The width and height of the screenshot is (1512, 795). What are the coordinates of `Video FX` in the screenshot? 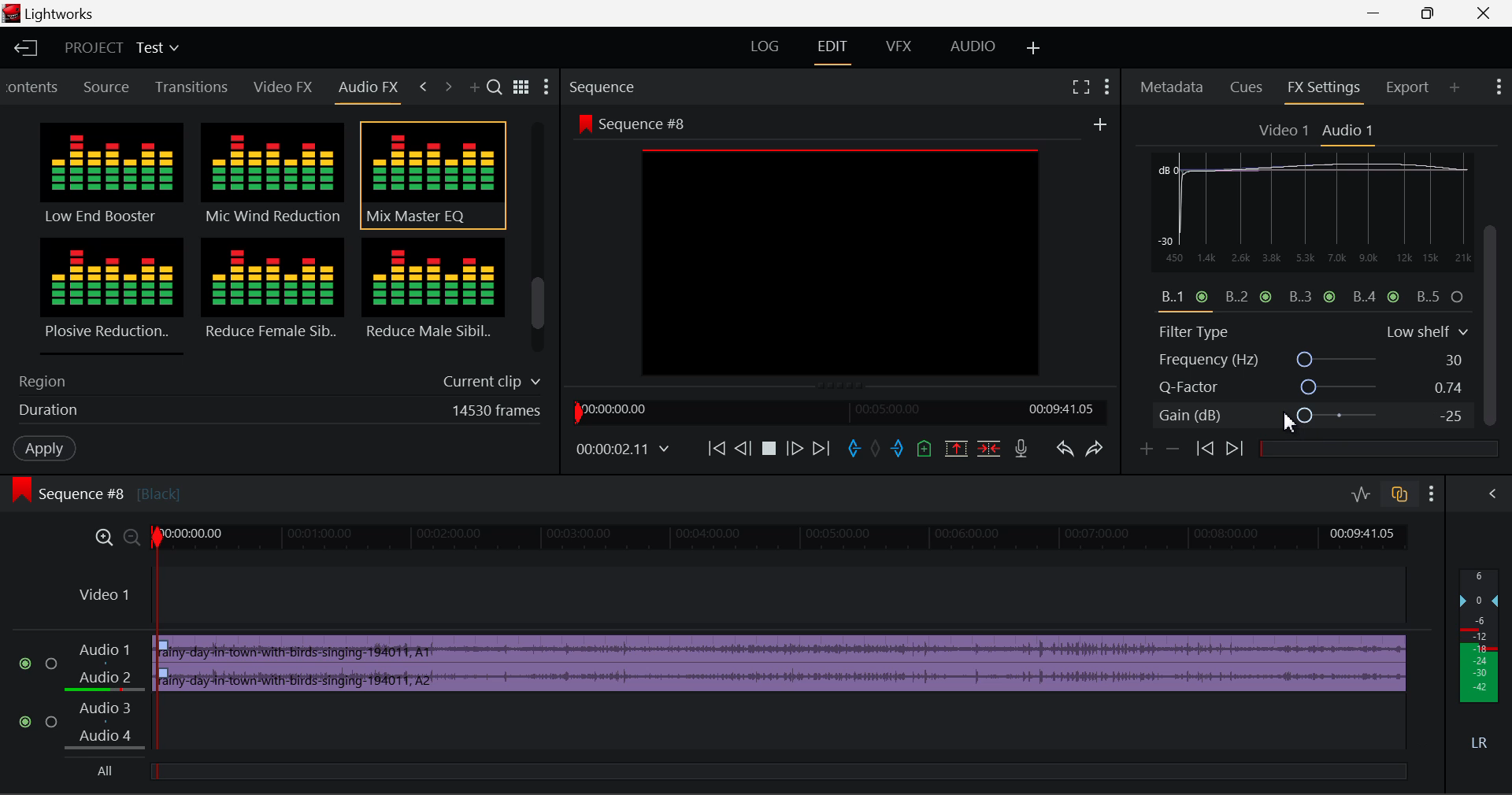 It's located at (279, 88).